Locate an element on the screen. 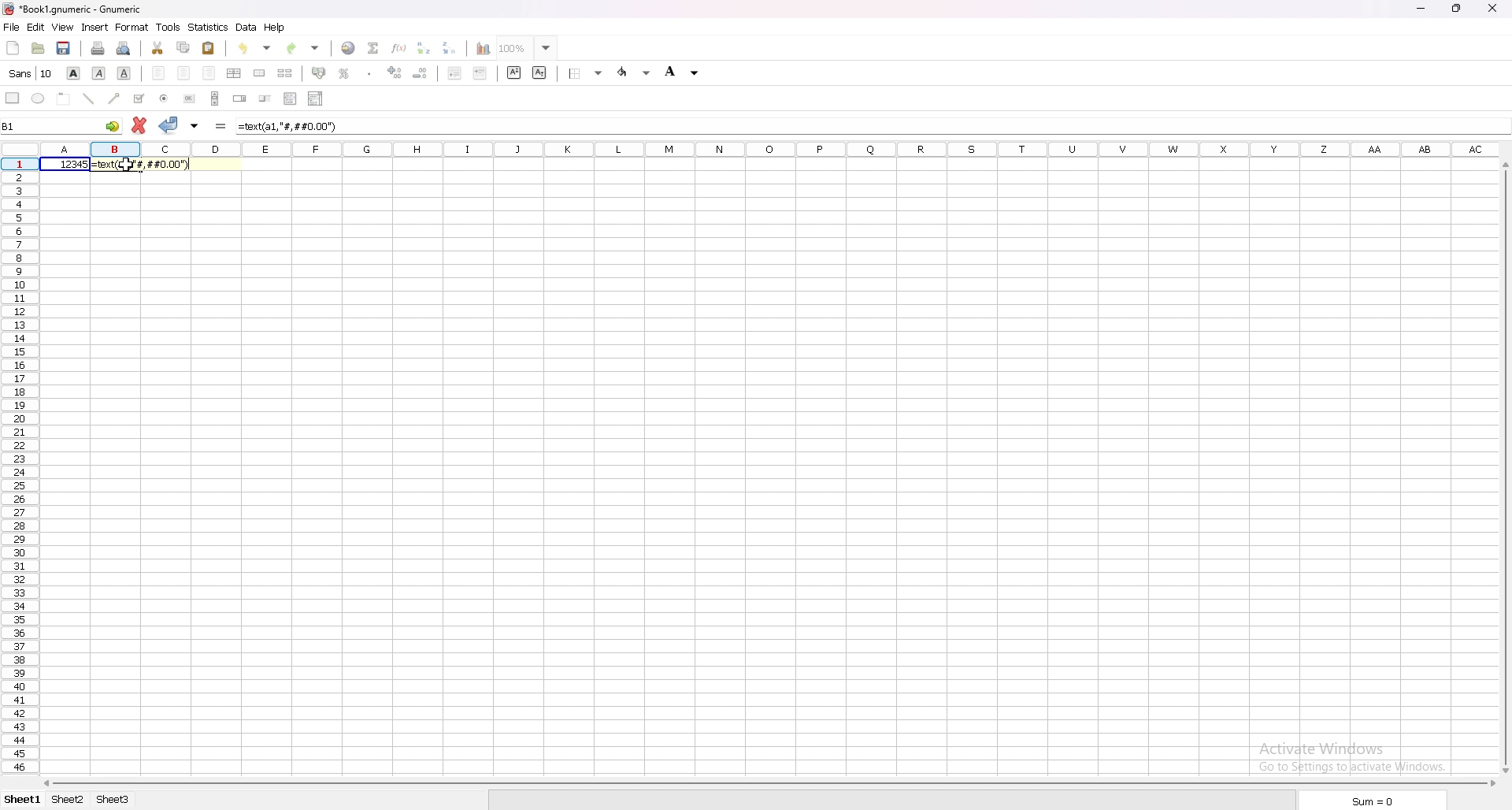 The height and width of the screenshot is (810, 1512). accept changes is located at coordinates (169, 126).